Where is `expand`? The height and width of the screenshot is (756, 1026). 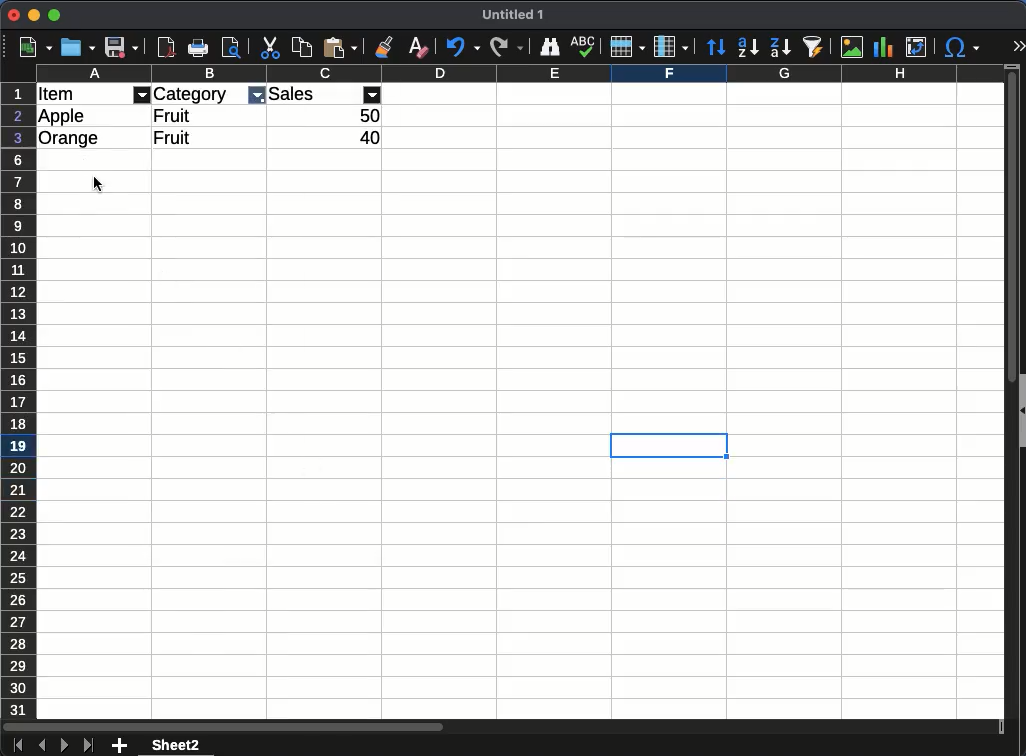 expand is located at coordinates (1016, 45).